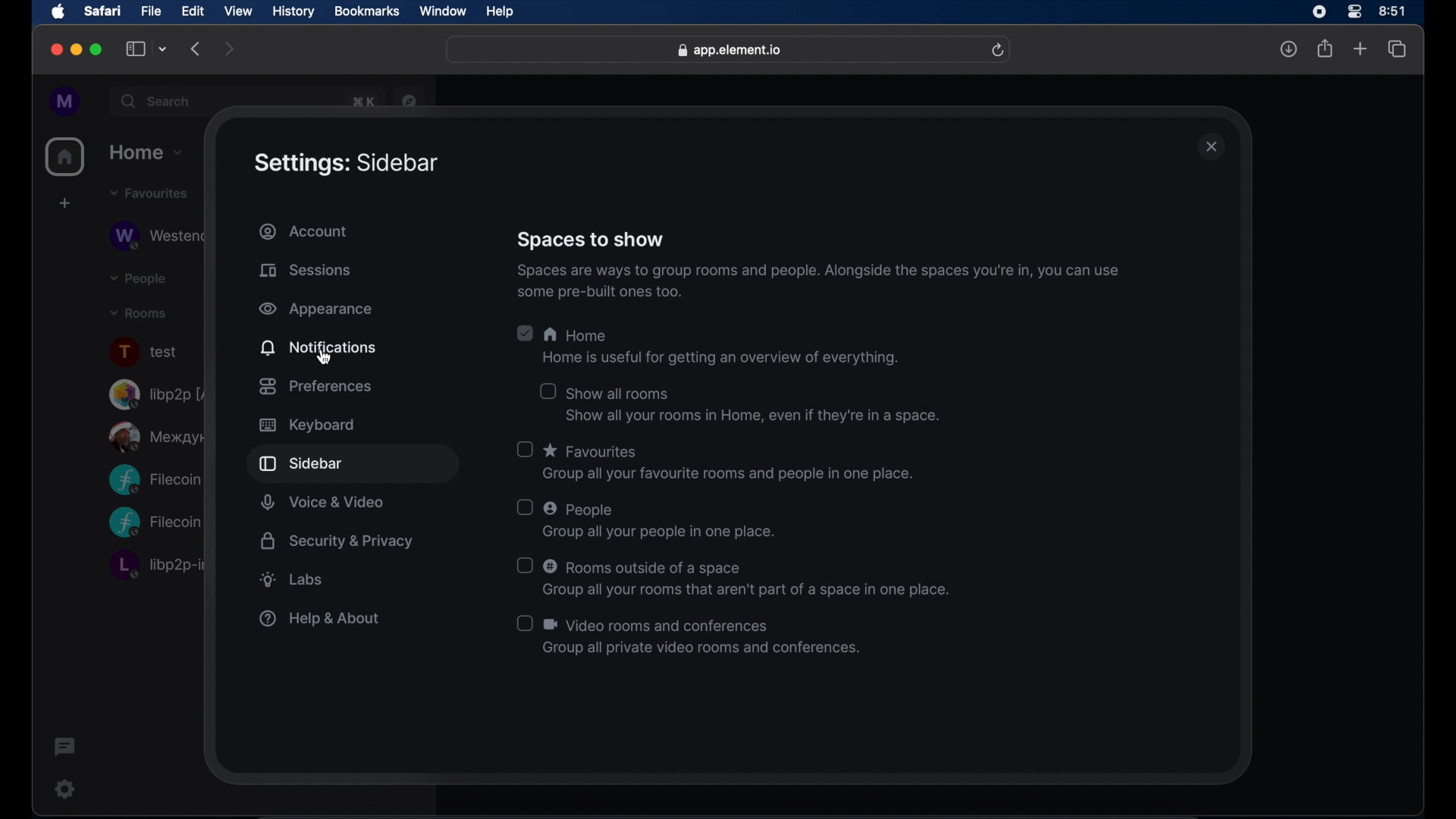 Image resolution: width=1456 pixels, height=819 pixels. I want to click on minimize, so click(77, 49).